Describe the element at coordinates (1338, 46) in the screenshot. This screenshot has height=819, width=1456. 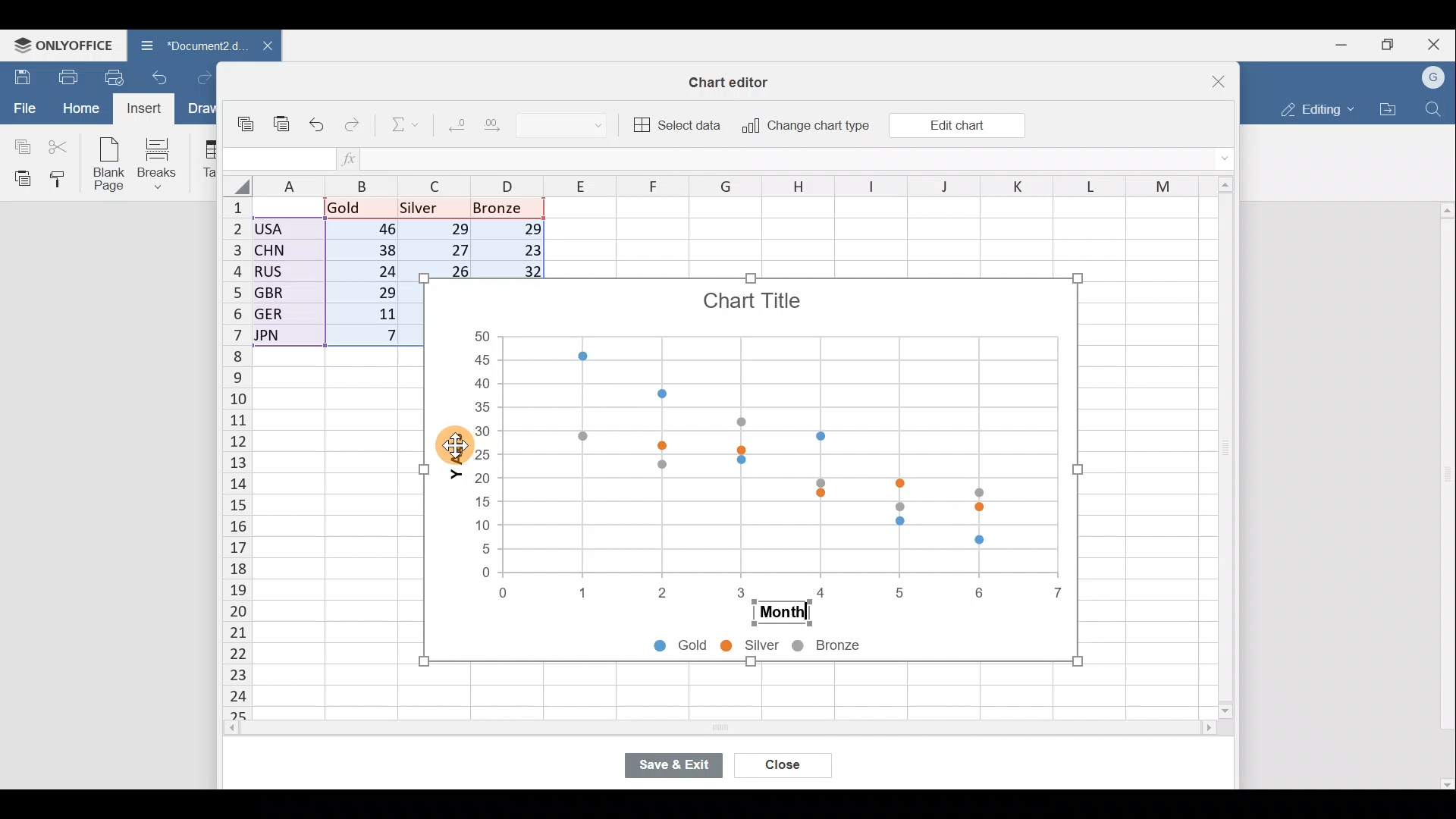
I see `Minimize` at that location.